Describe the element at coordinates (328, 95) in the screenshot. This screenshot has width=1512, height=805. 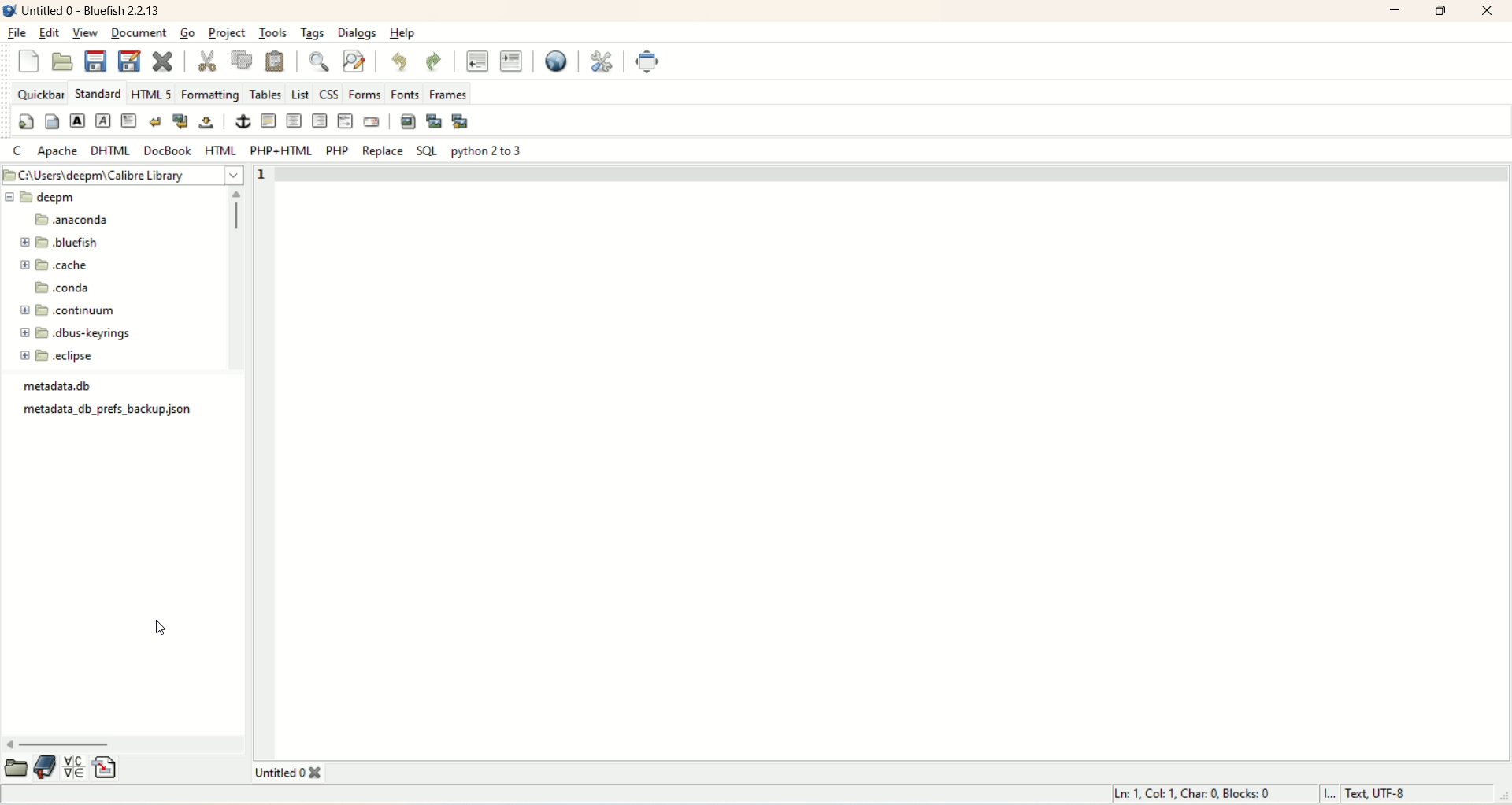
I see `CSS` at that location.